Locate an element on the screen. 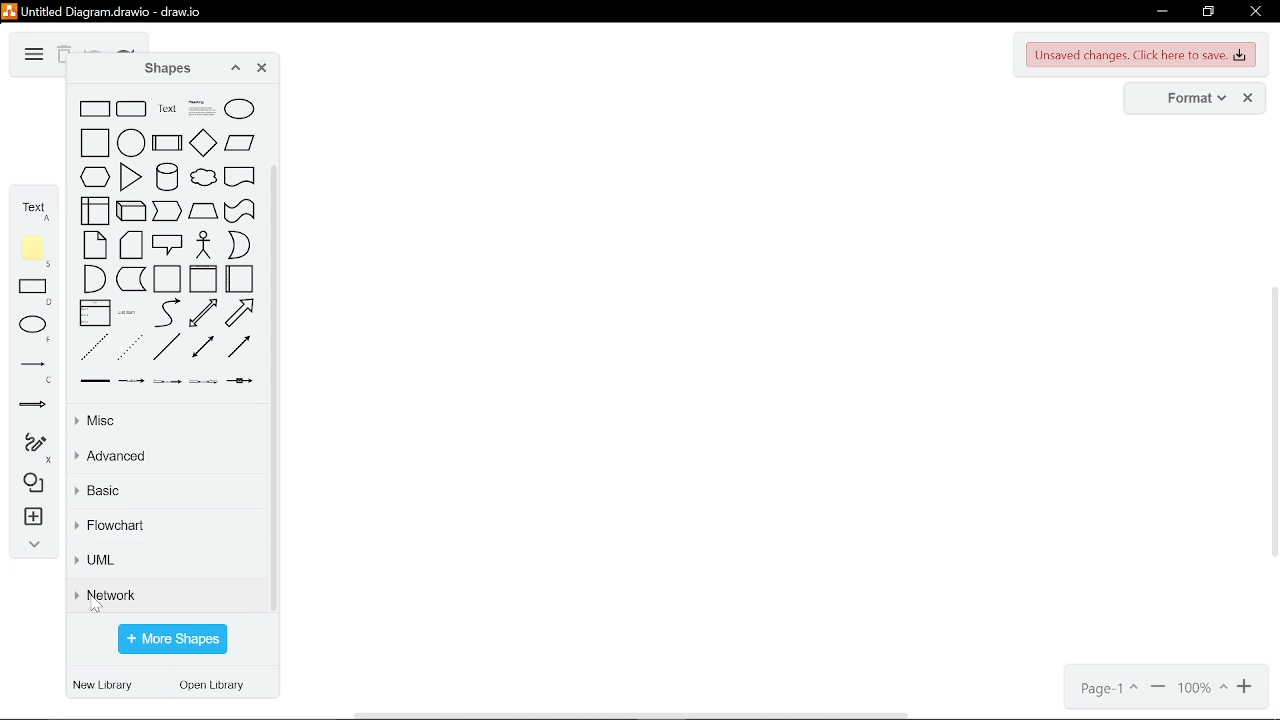 This screenshot has width=1280, height=720. horizontal container is located at coordinates (239, 278).